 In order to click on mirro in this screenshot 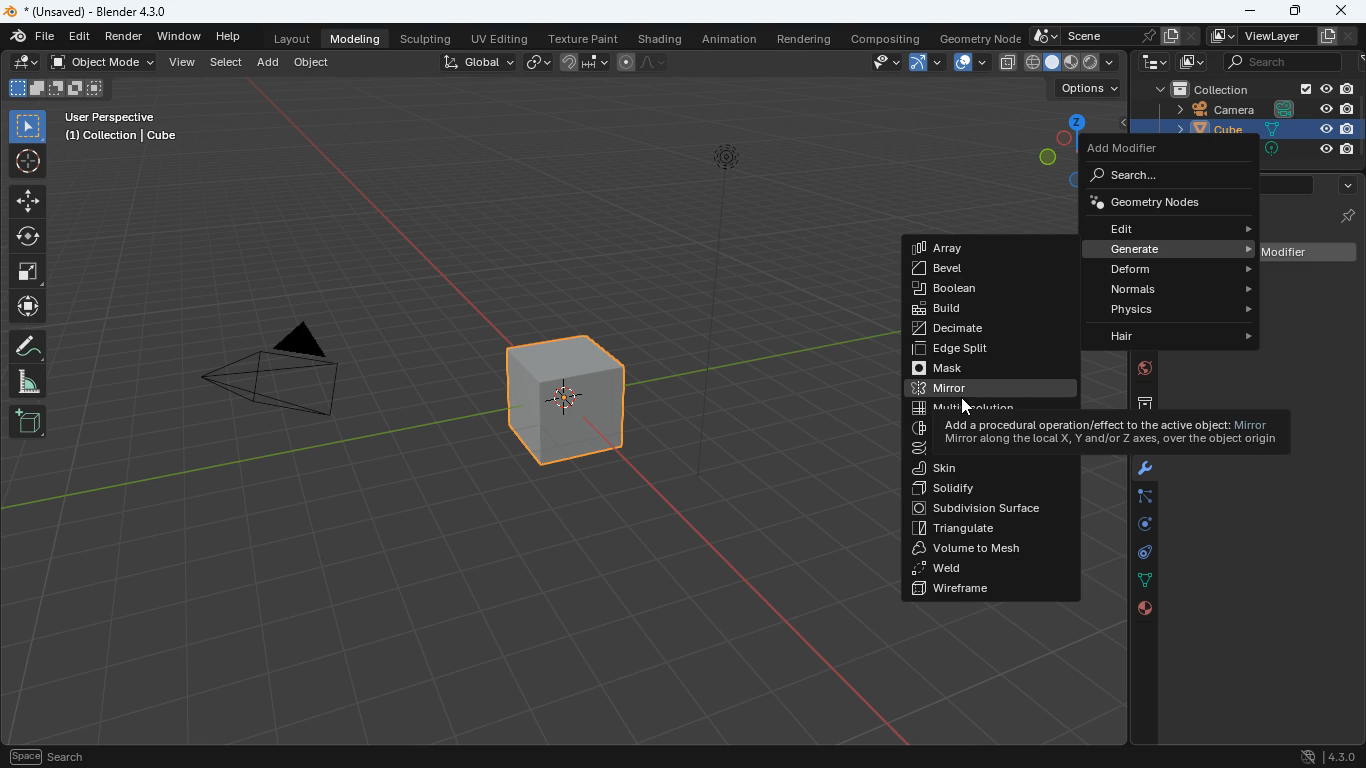, I will do `click(991, 389)`.